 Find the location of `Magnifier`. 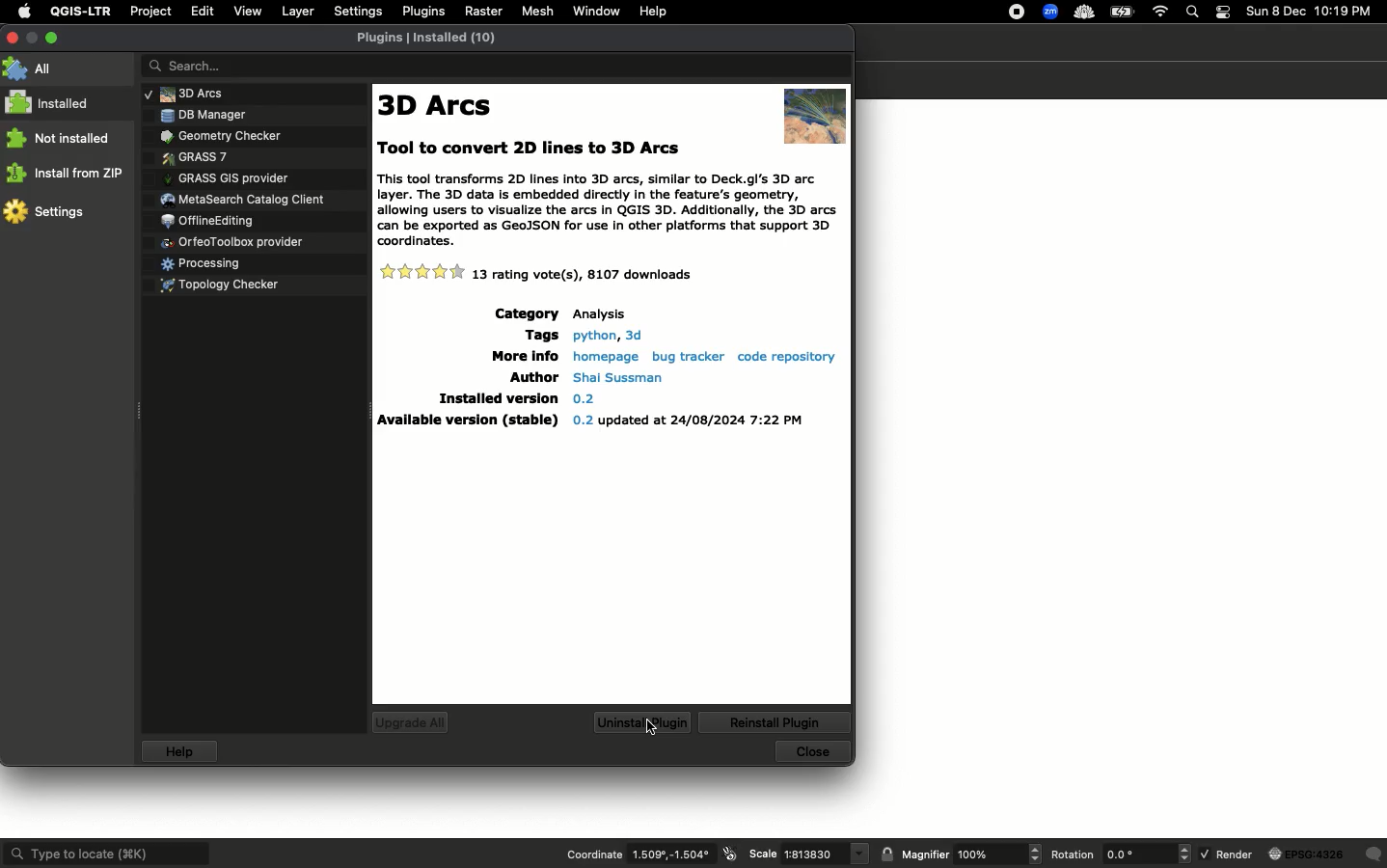

Magnifier is located at coordinates (961, 854).